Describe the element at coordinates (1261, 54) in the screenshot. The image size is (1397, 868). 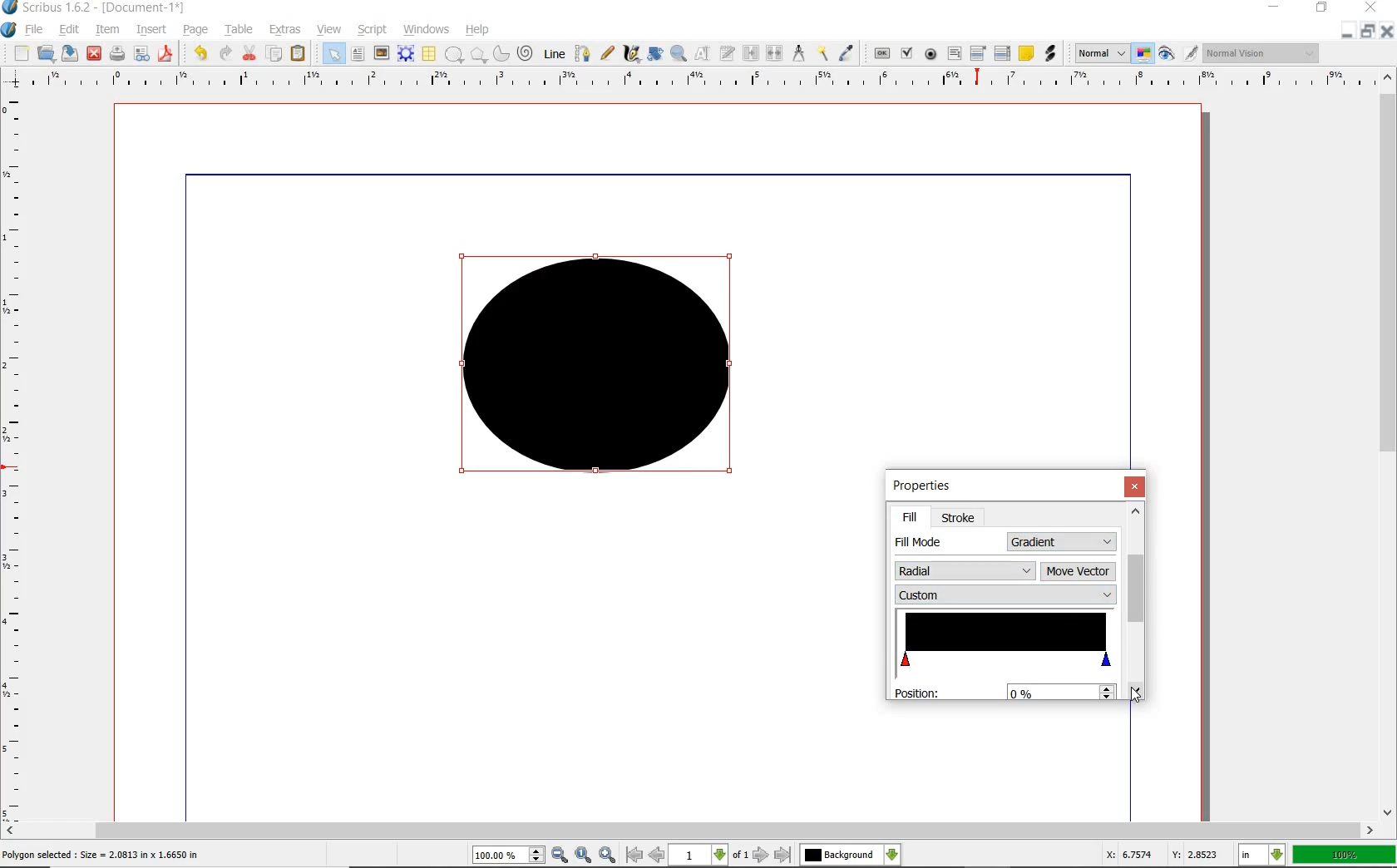
I see `visual appearance of the display` at that location.